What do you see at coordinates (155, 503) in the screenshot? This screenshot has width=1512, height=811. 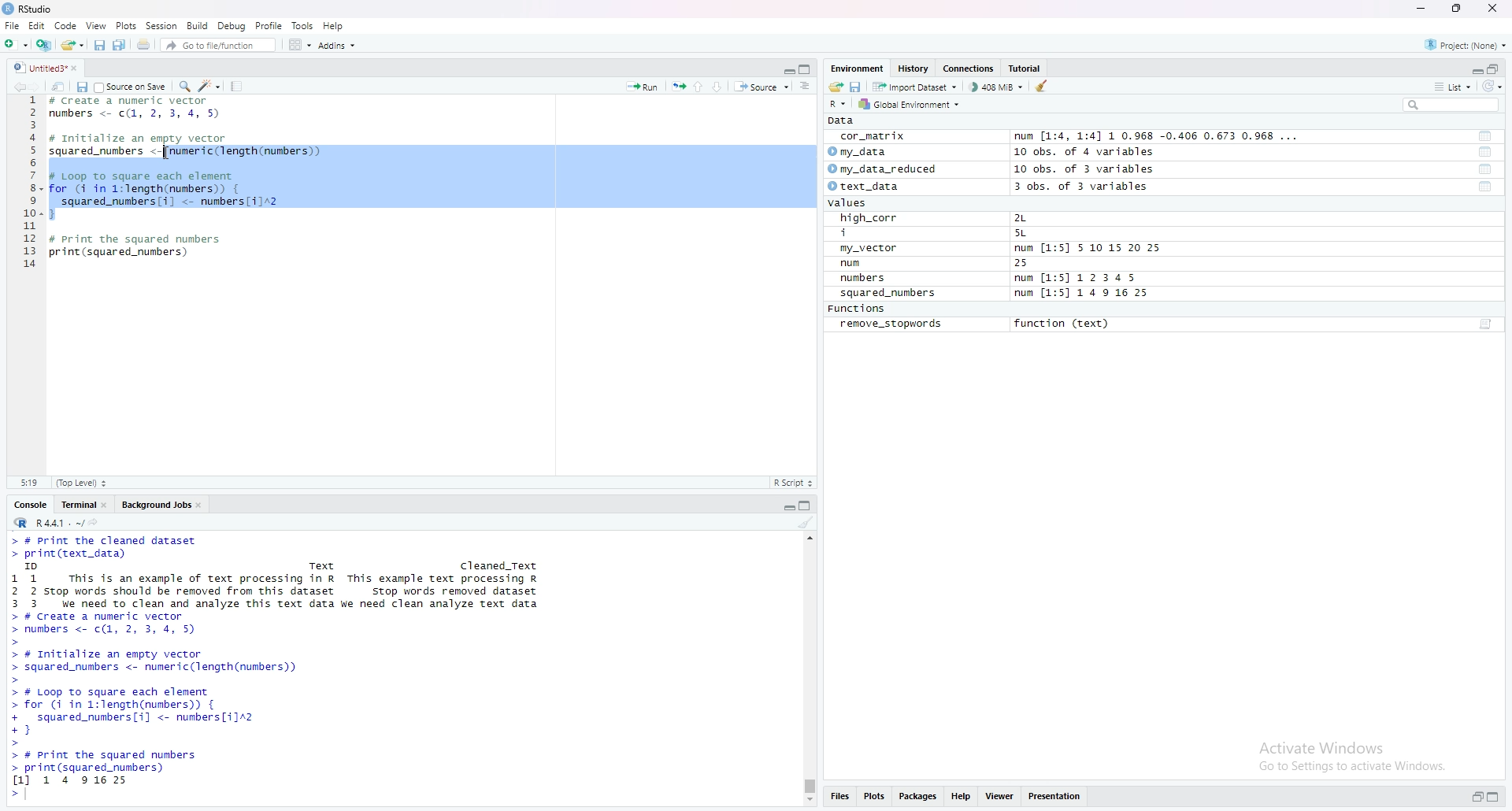 I see `Background Jobs` at bounding box center [155, 503].